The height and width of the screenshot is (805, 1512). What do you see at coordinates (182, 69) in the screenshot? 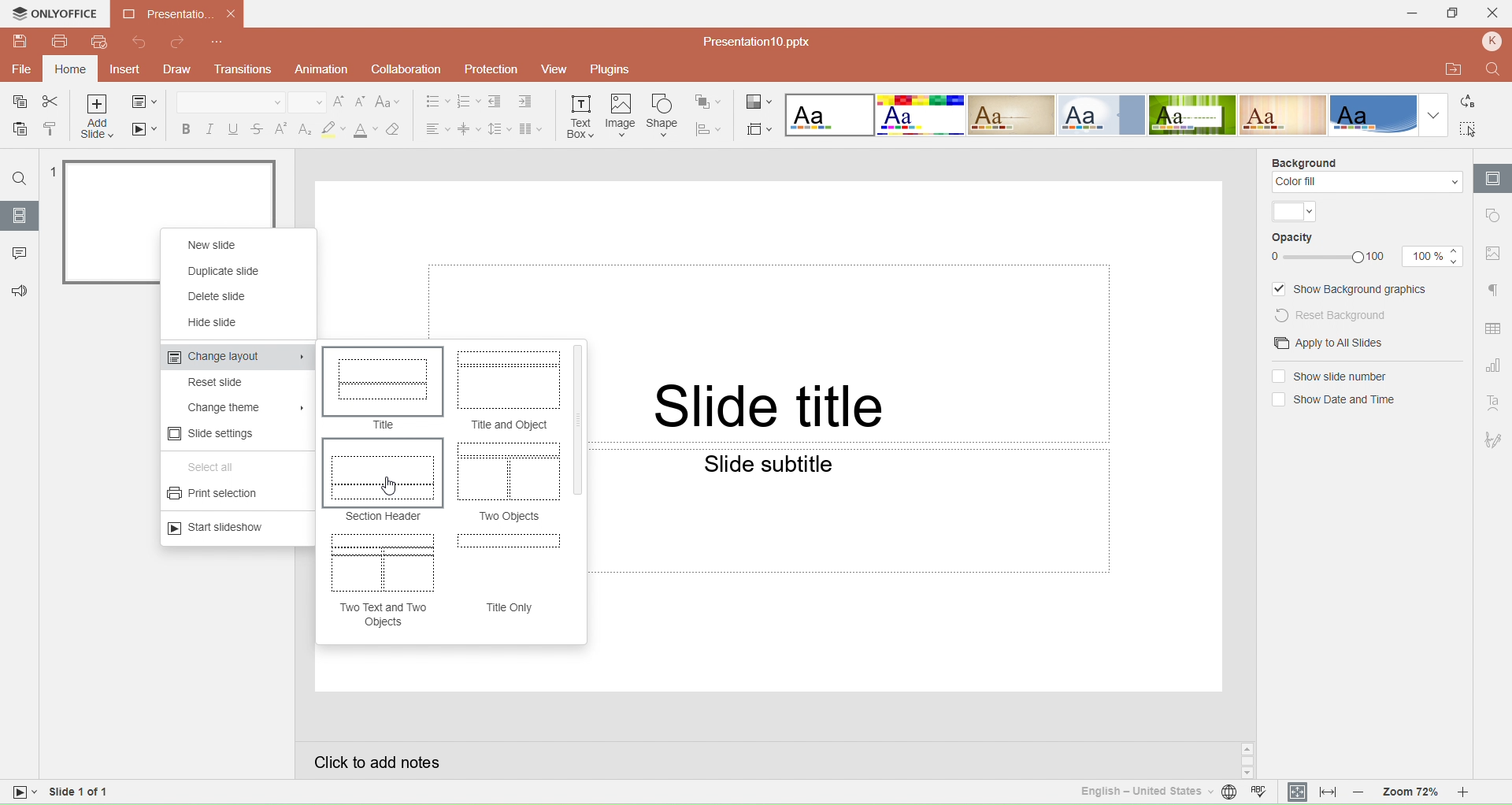
I see `Draw` at bounding box center [182, 69].